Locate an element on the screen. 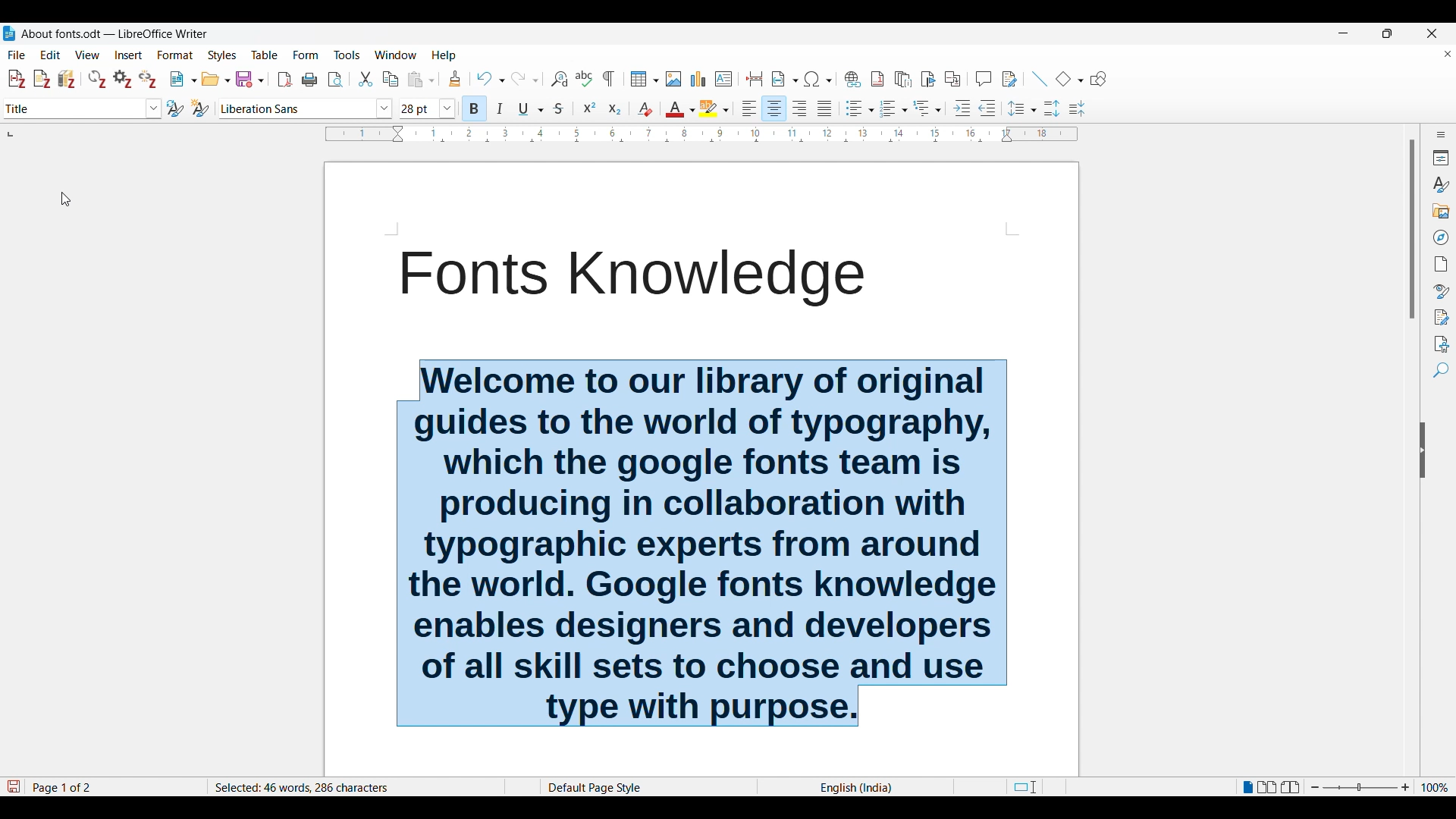  Changed to current selection is located at coordinates (19, 108).